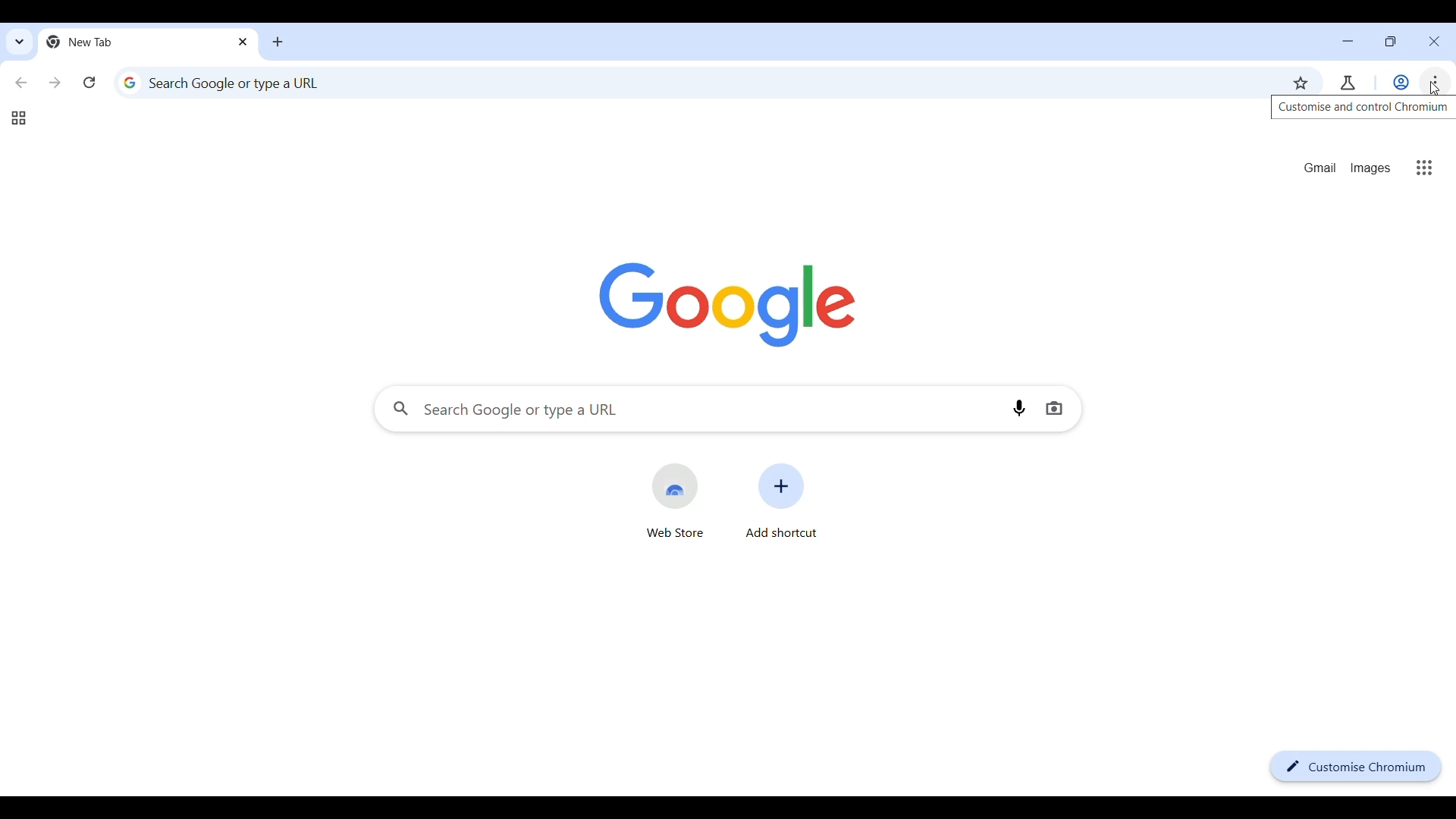  Describe the element at coordinates (1357, 766) in the screenshot. I see `Customize Chromium` at that location.